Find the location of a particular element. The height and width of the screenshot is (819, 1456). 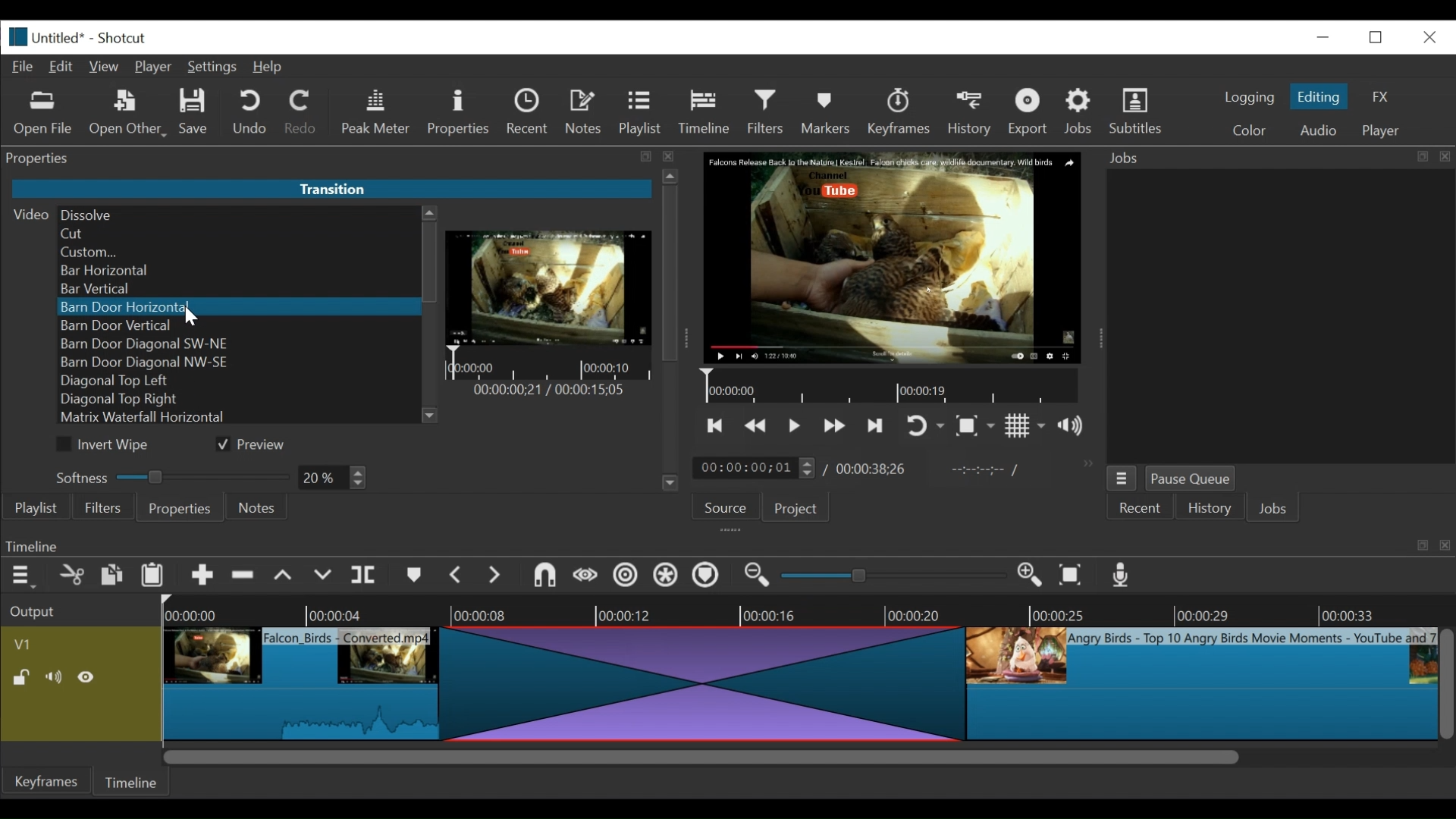

Playlist is located at coordinates (641, 114).